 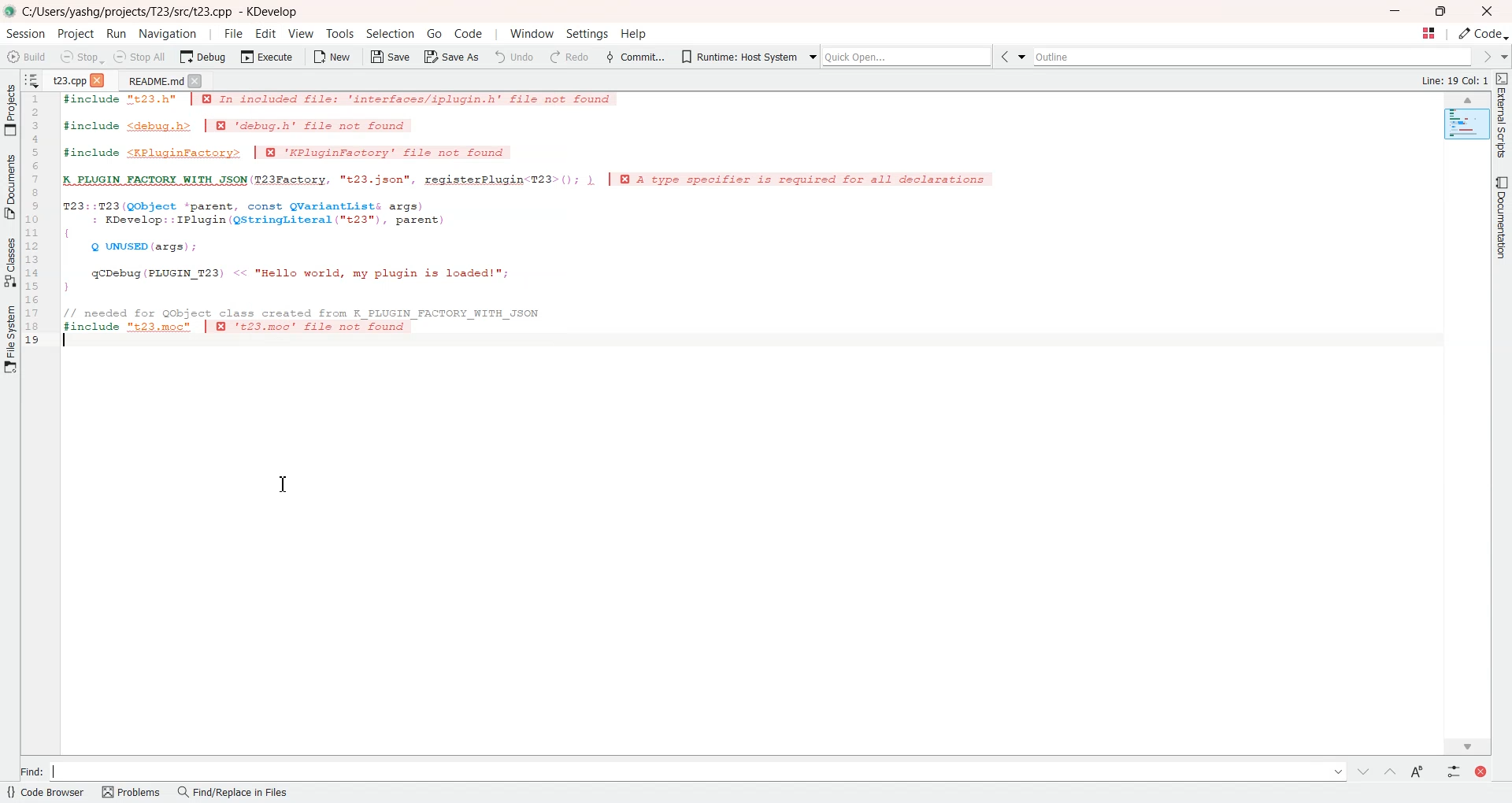 What do you see at coordinates (633, 35) in the screenshot?
I see `help` at bounding box center [633, 35].